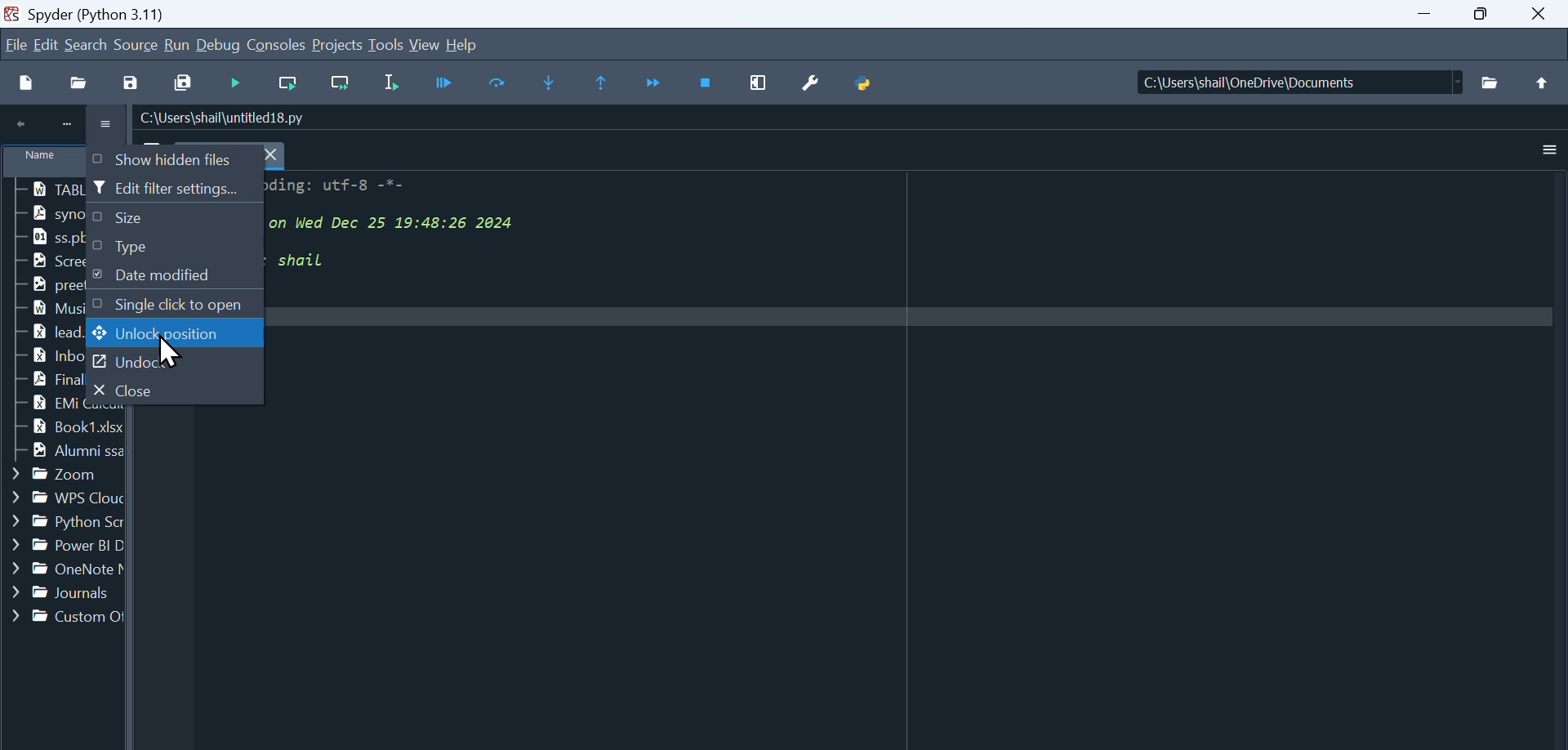  Describe the element at coordinates (41, 212) in the screenshot. I see `synopsis.p..` at that location.